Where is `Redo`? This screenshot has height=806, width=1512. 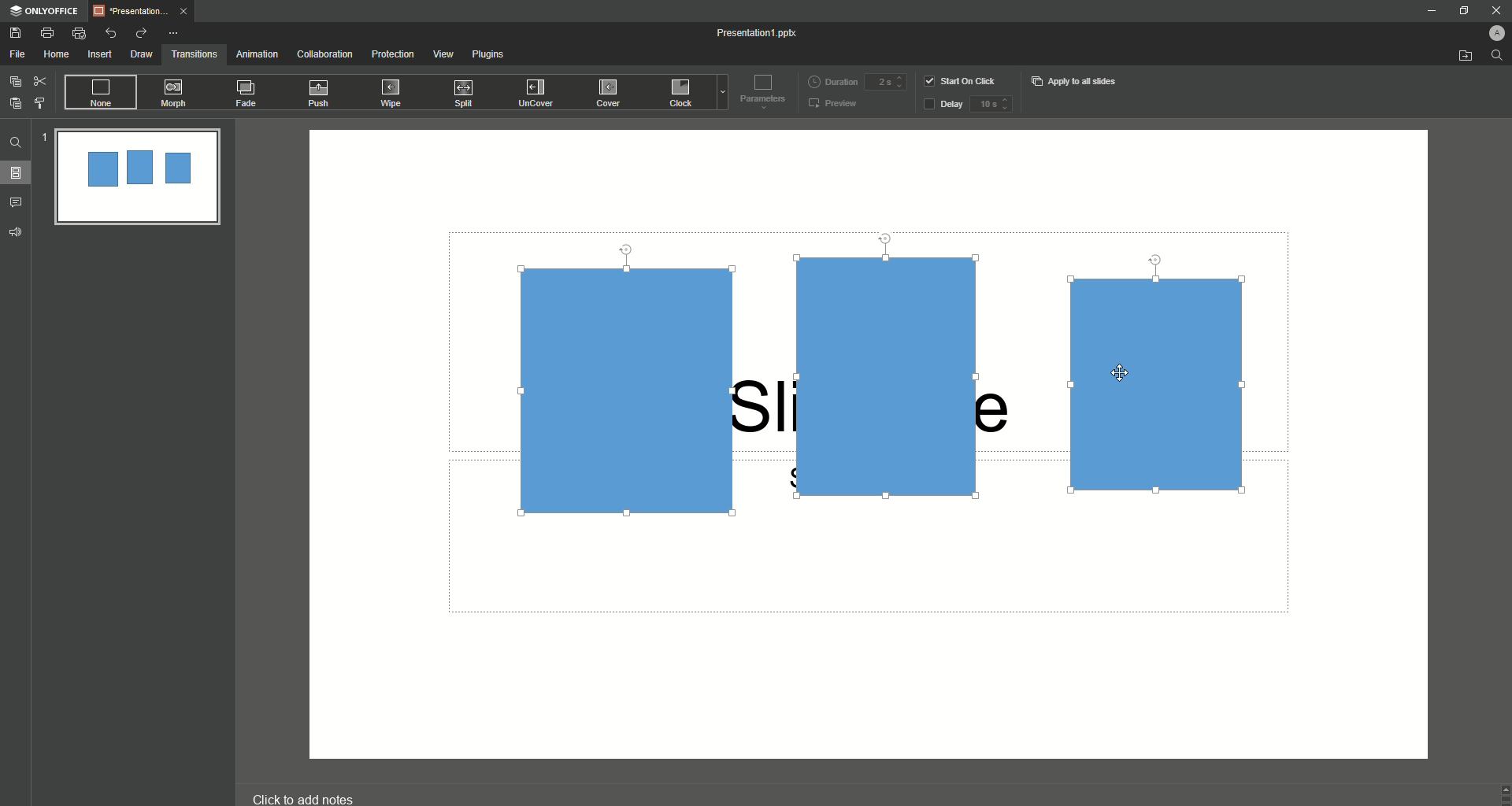
Redo is located at coordinates (140, 33).